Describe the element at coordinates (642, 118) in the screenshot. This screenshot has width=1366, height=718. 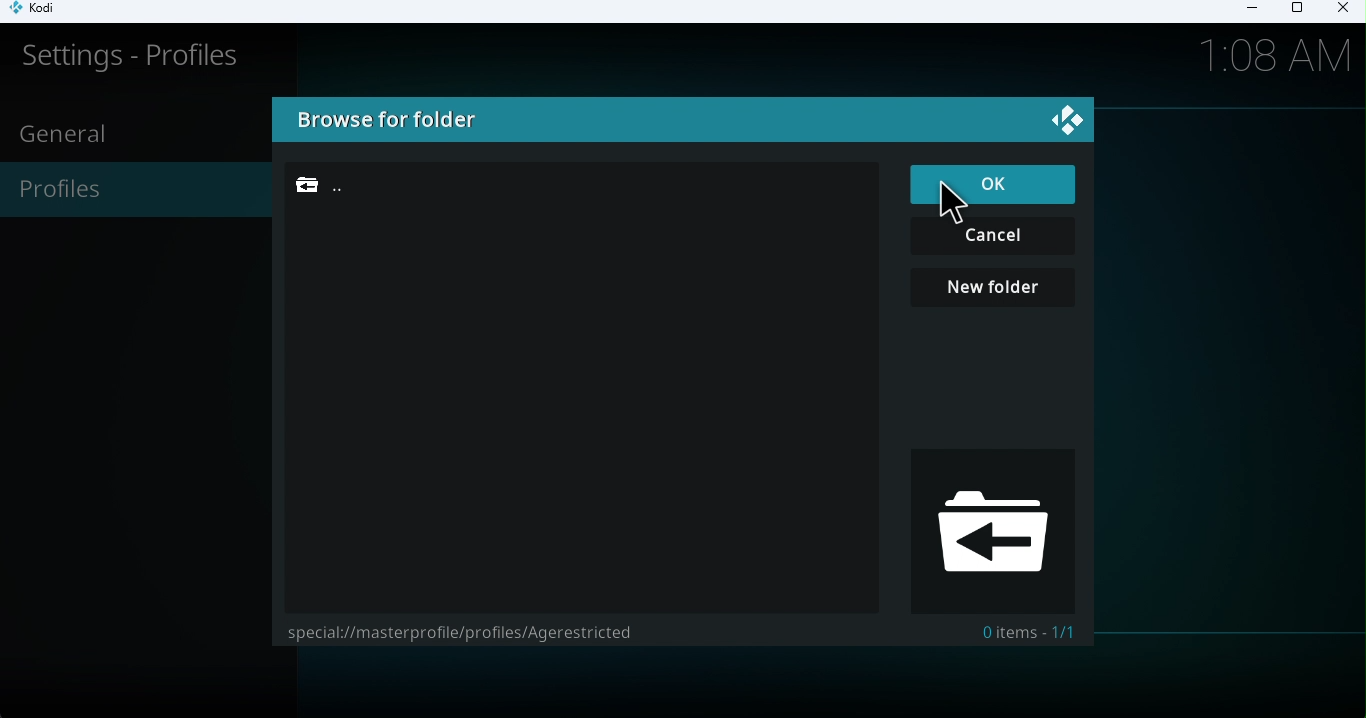
I see `Browse for folders` at that location.